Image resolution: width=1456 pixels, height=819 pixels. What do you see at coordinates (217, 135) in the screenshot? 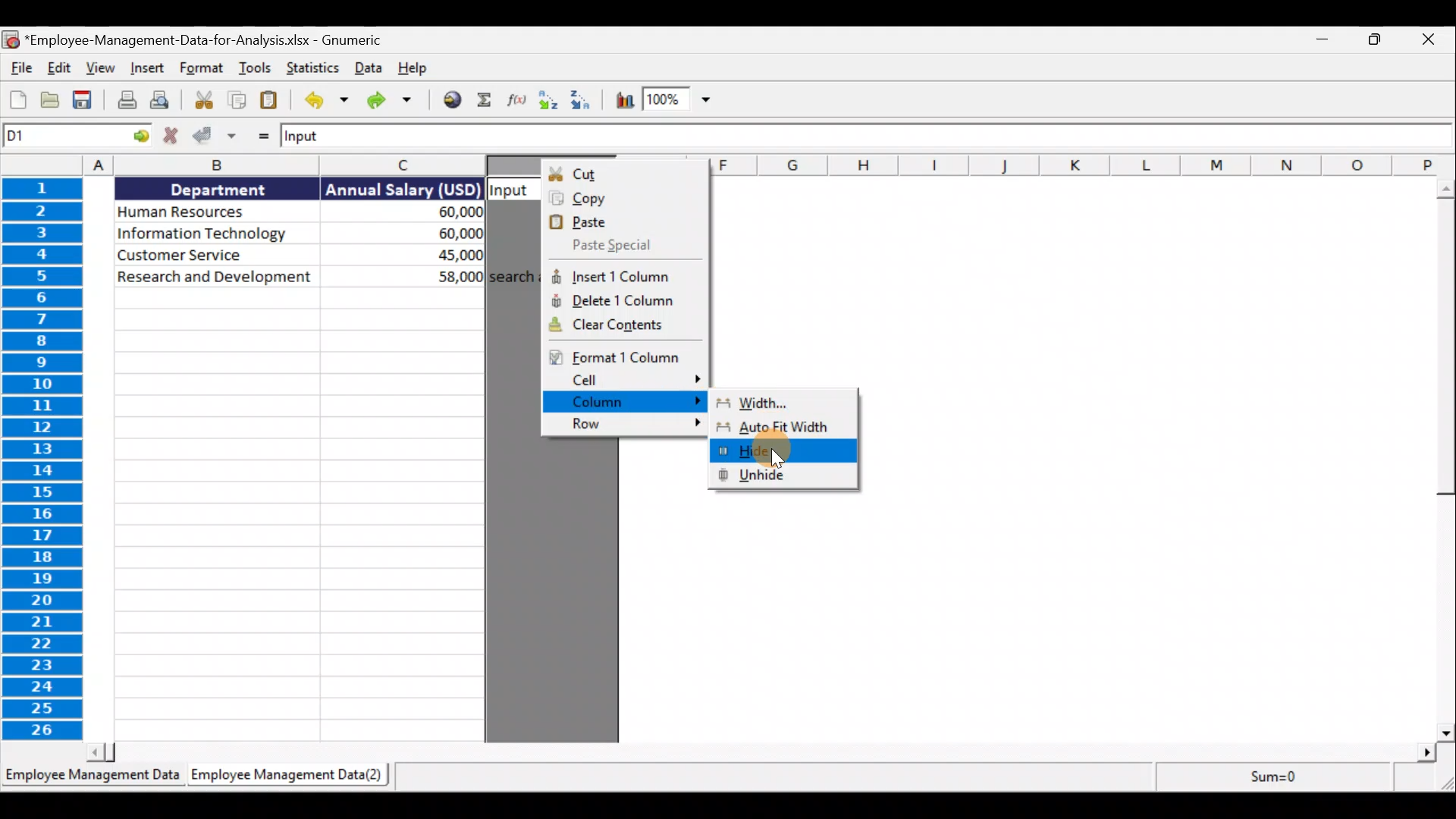
I see `Accept change` at bounding box center [217, 135].